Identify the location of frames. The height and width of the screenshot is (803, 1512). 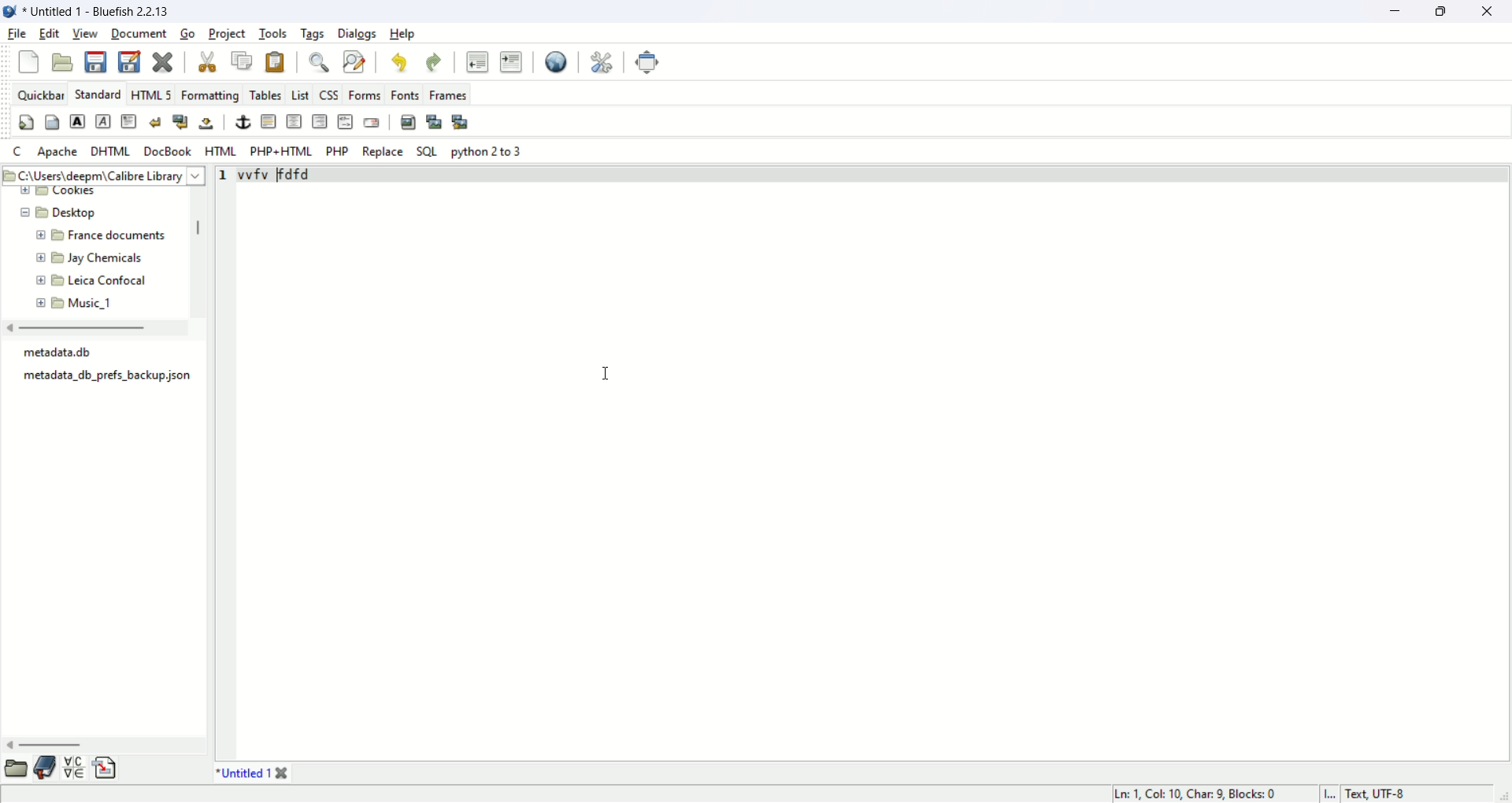
(450, 94).